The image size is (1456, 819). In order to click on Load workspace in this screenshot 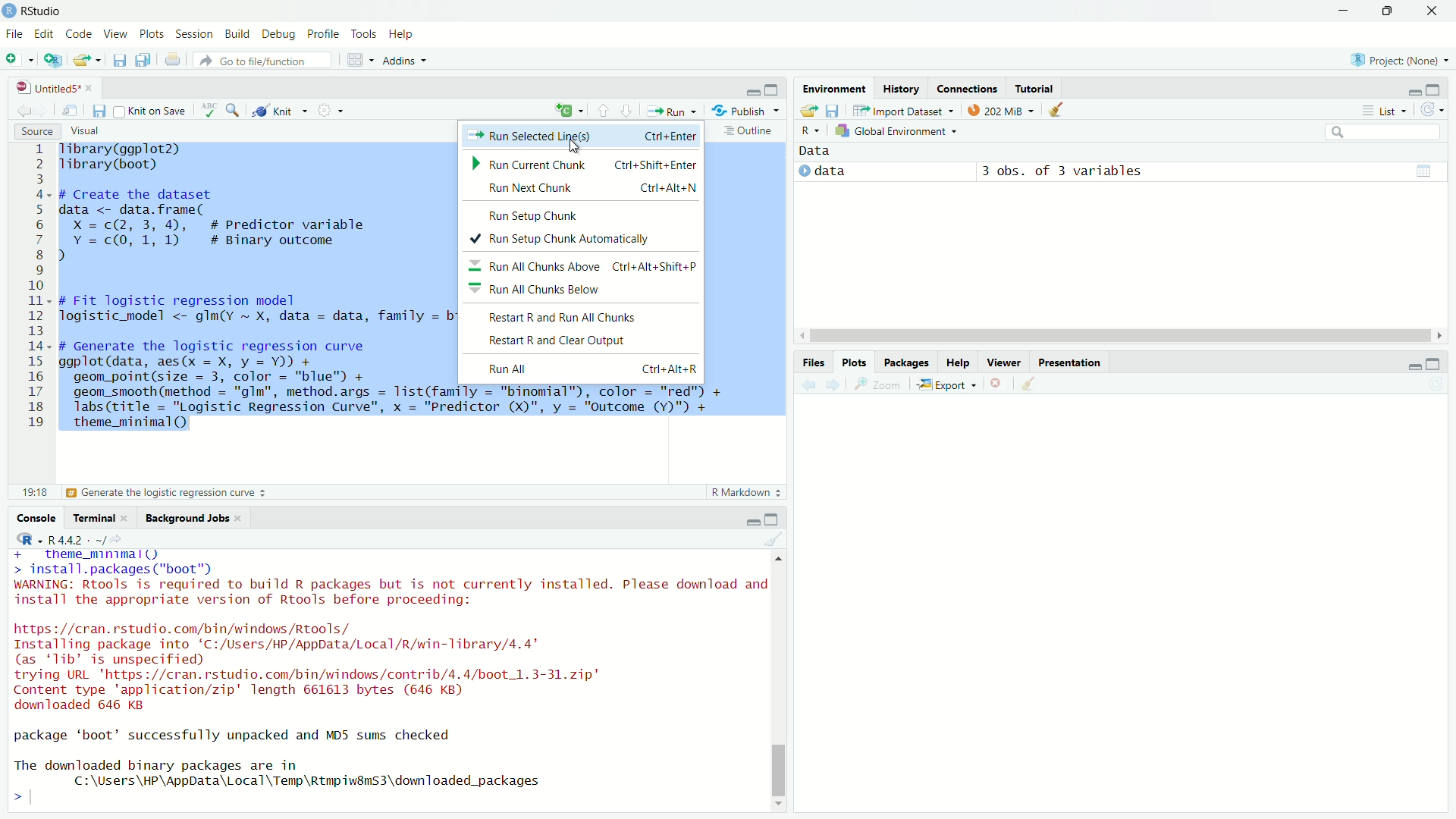, I will do `click(808, 111)`.